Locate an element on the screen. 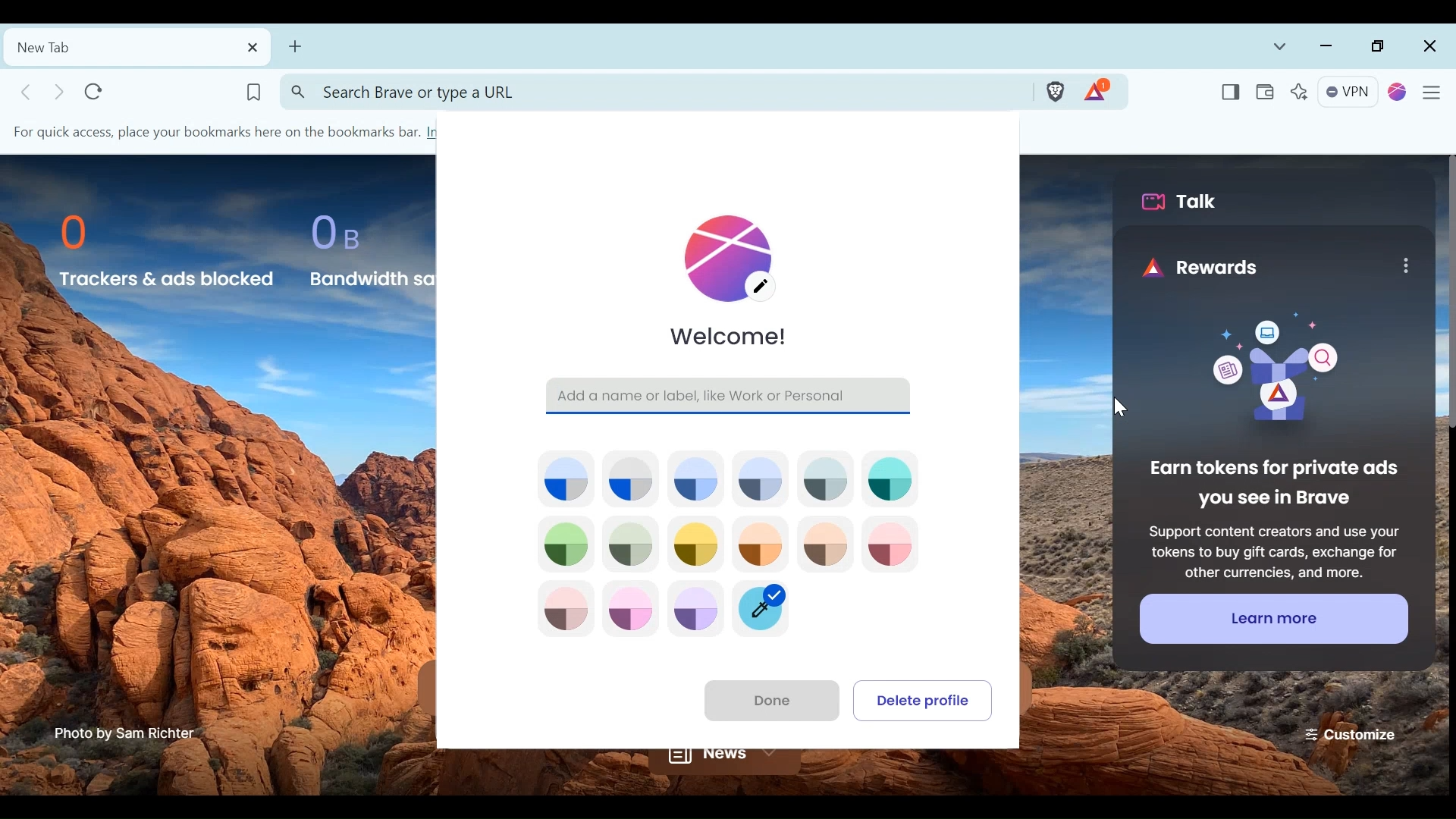 This screenshot has height=819, width=1456. Minimize is located at coordinates (1327, 47).